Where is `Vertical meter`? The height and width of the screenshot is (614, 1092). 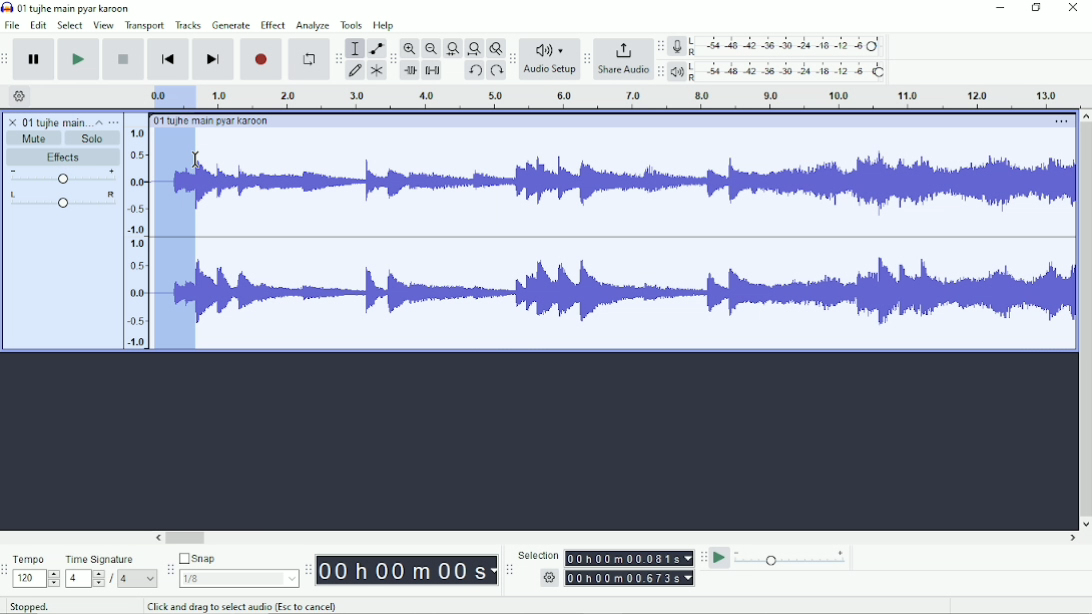
Vertical meter is located at coordinates (133, 237).